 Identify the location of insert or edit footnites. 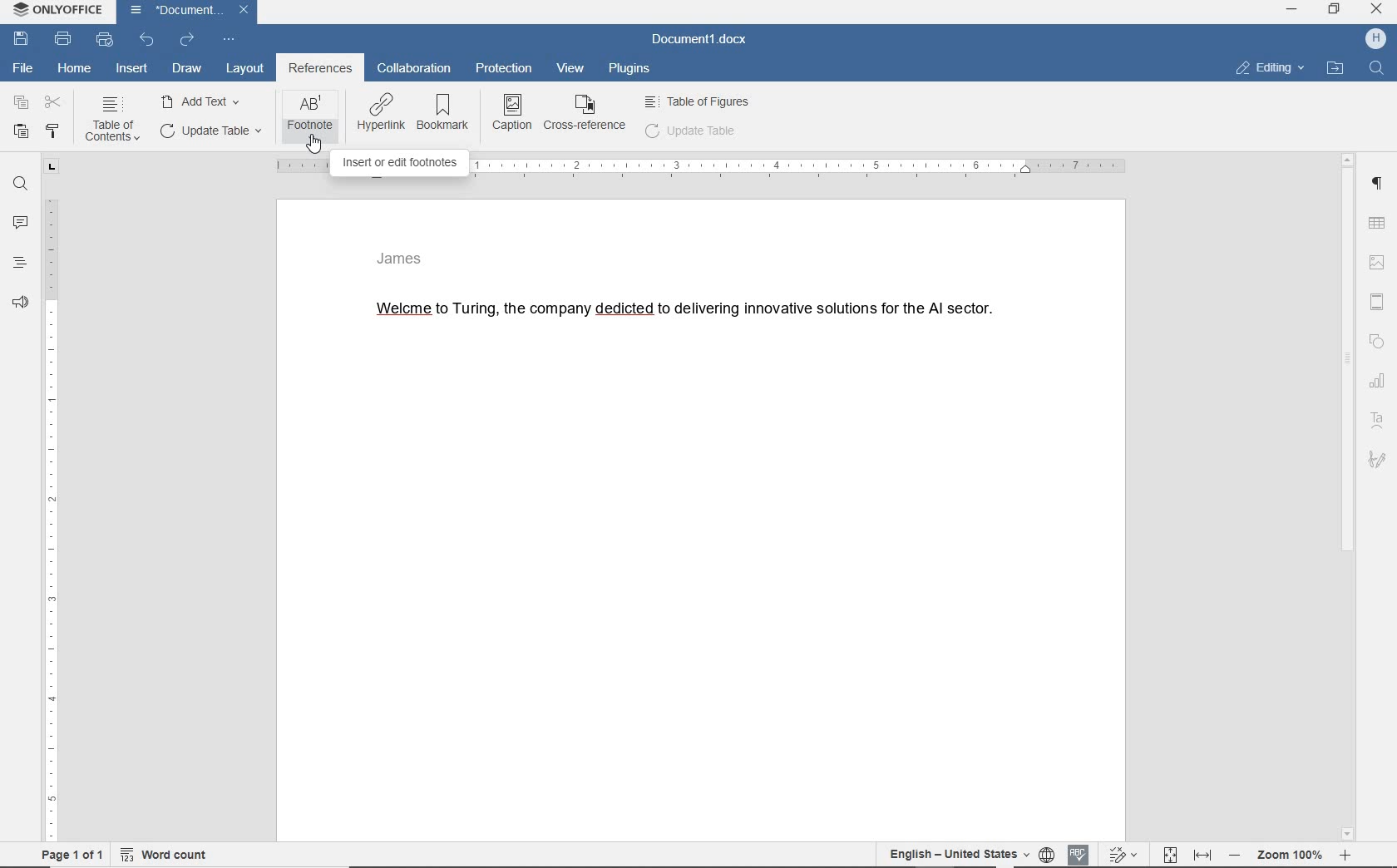
(397, 162).